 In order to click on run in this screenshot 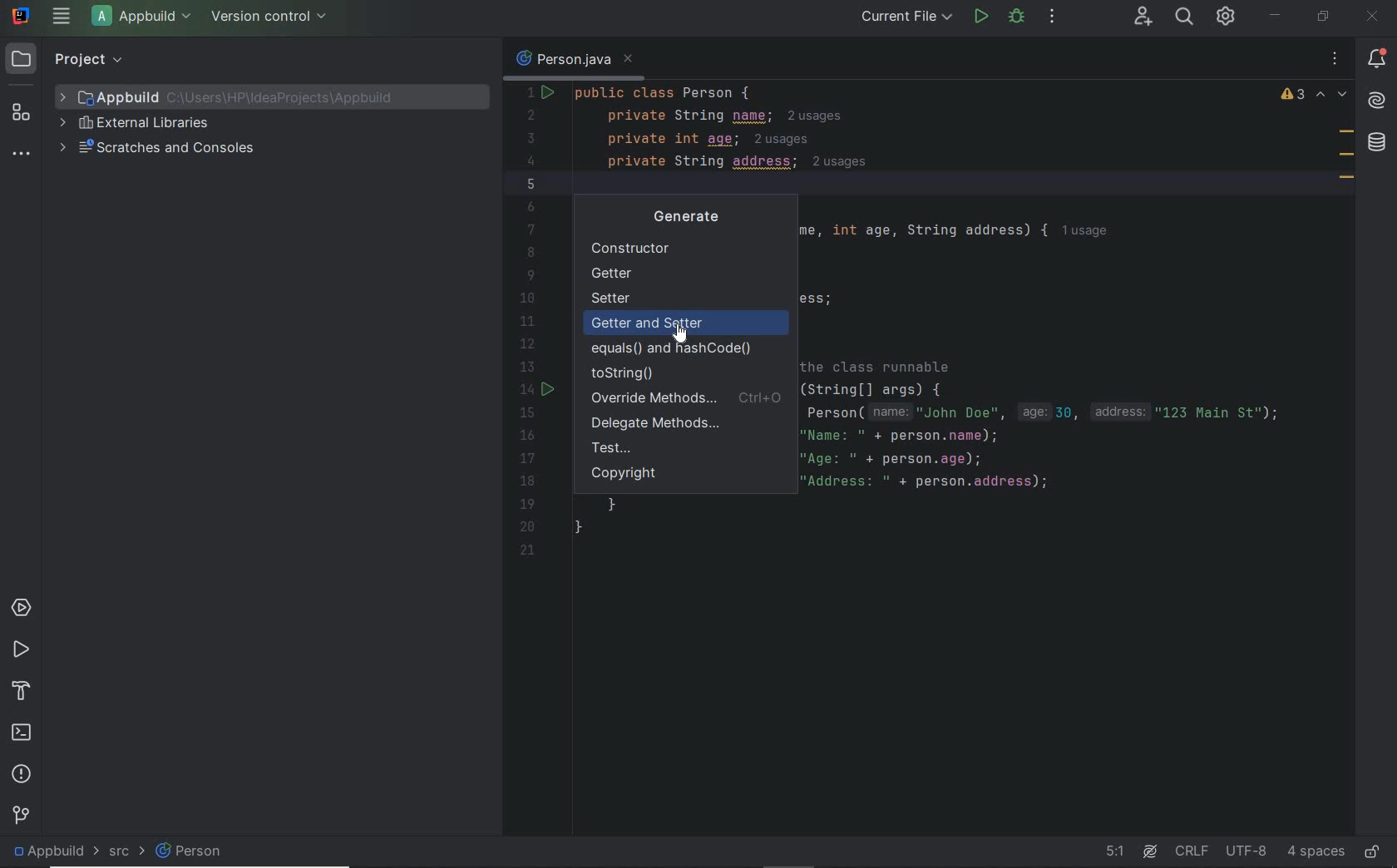, I will do `click(981, 17)`.